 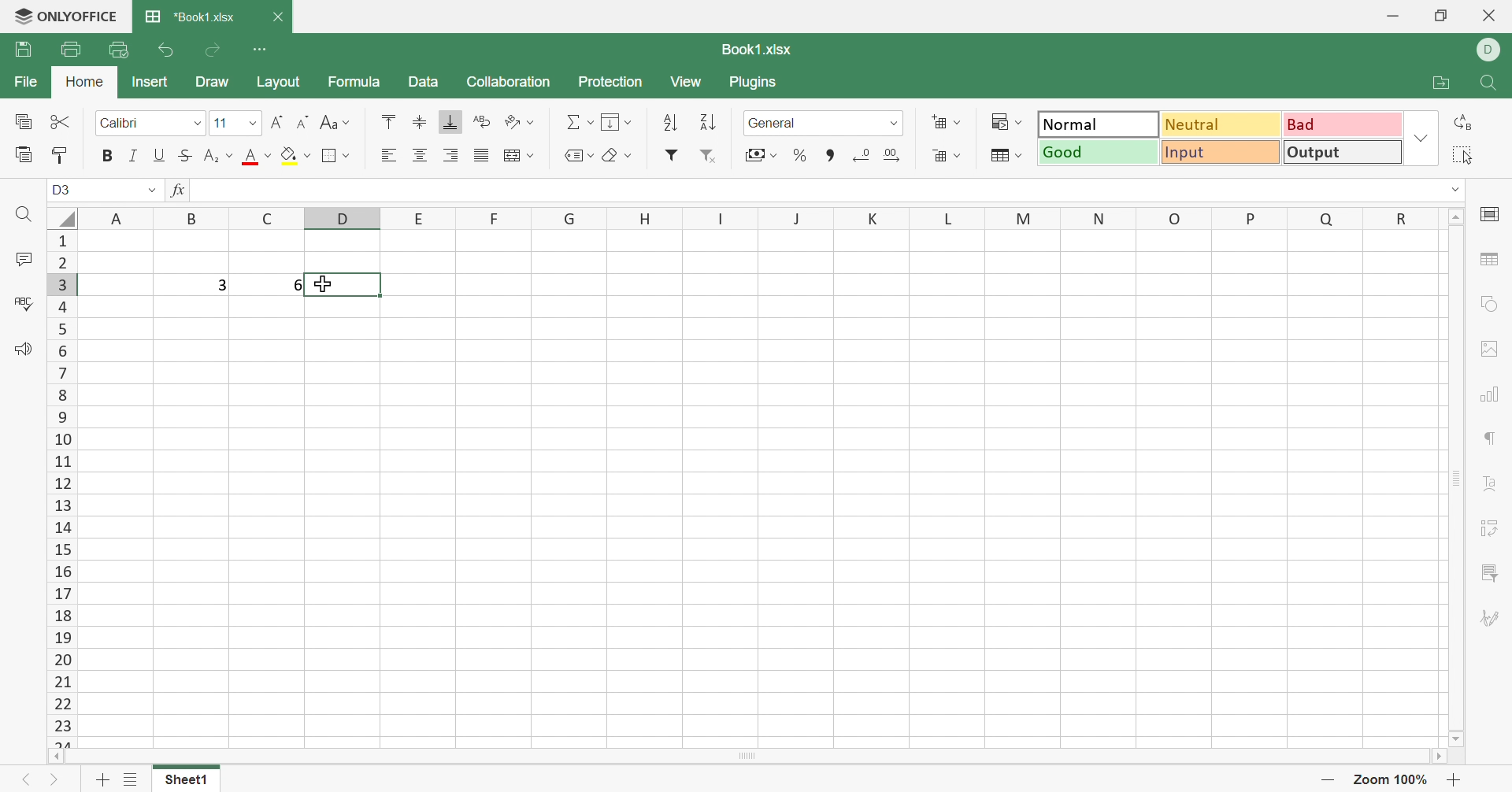 What do you see at coordinates (223, 283) in the screenshot?
I see `3` at bounding box center [223, 283].